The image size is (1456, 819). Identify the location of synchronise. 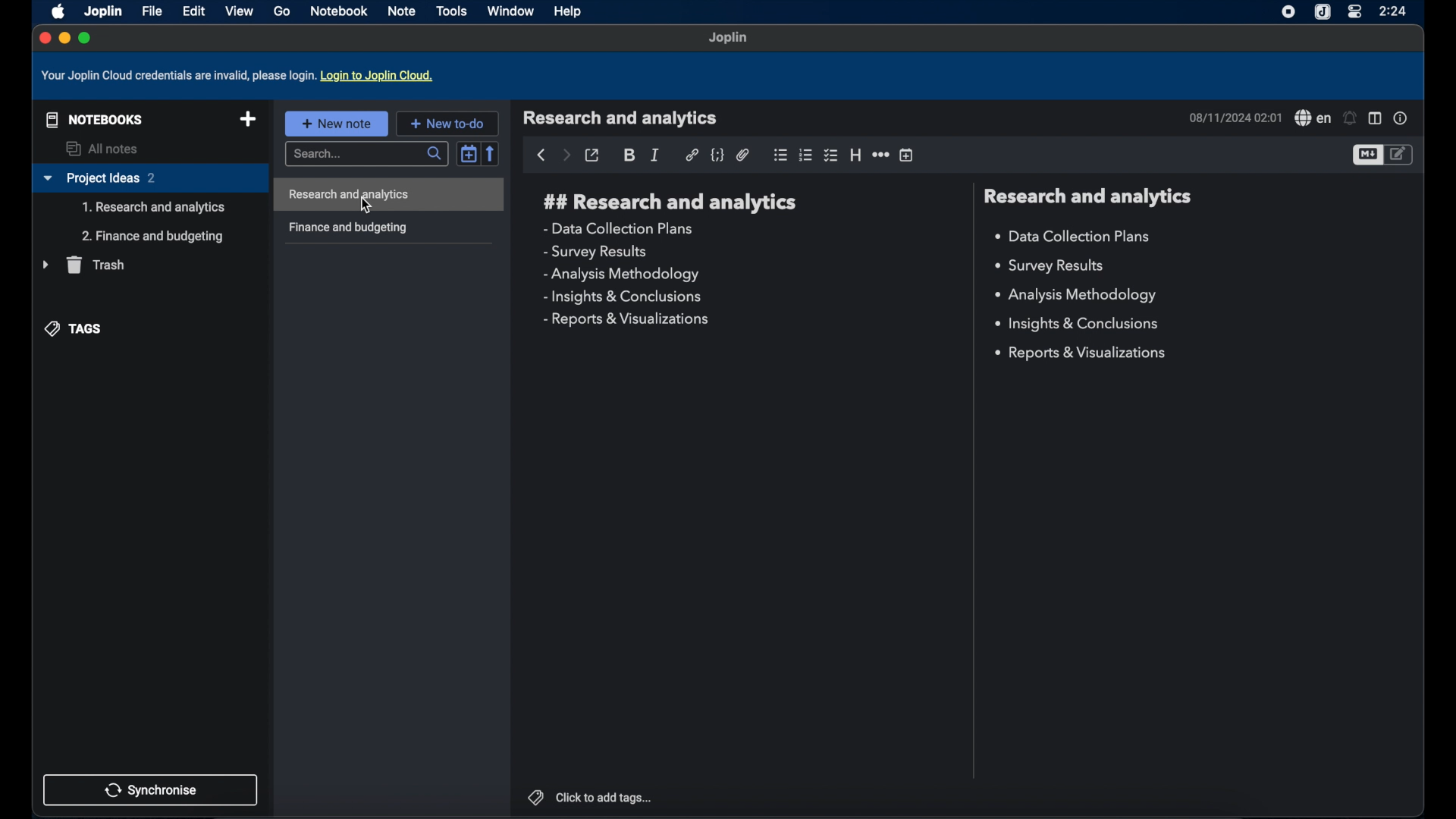
(151, 789).